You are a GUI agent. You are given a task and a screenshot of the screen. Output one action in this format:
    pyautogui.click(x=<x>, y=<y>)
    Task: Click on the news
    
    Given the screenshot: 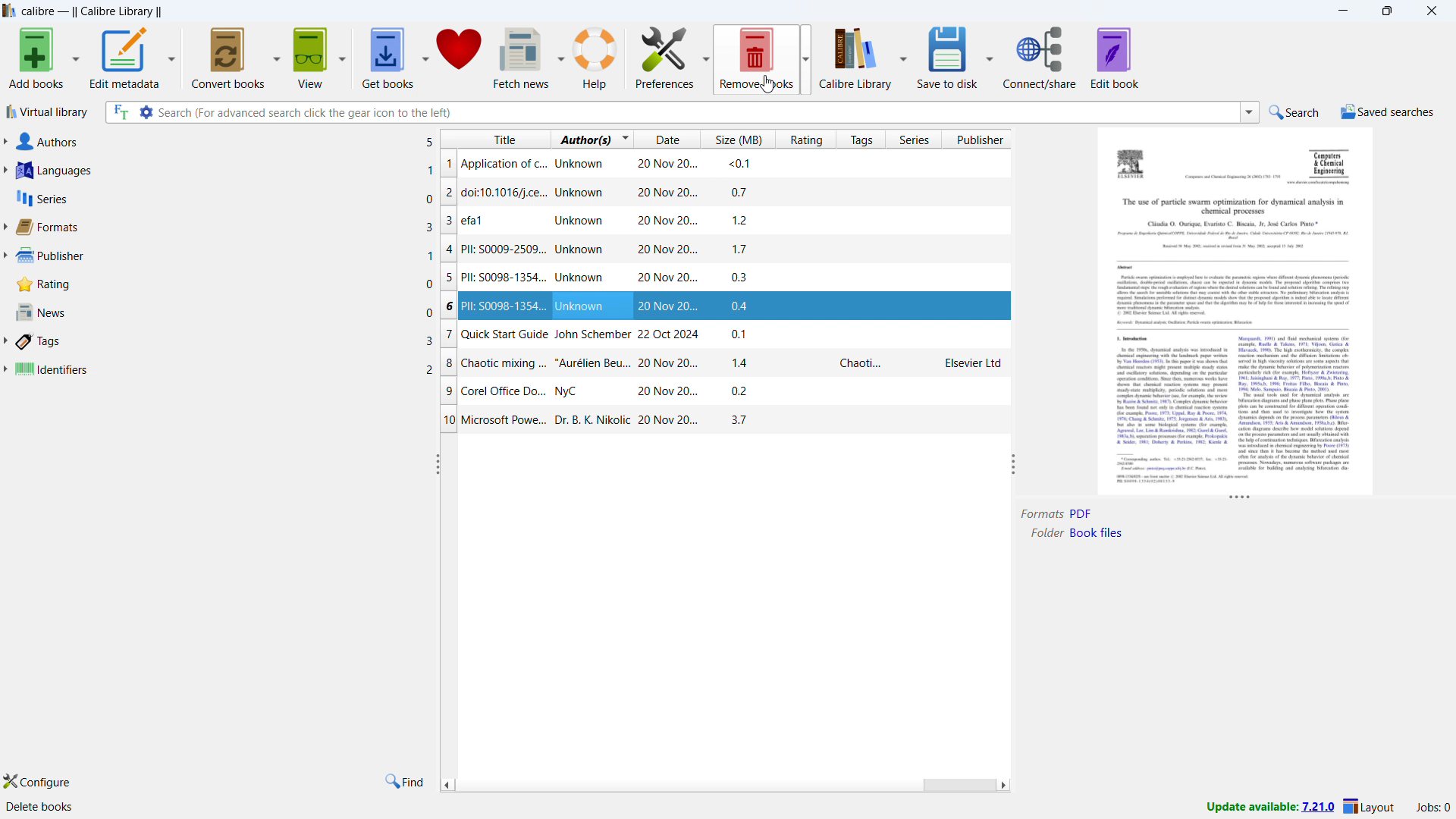 What is the action you would take?
    pyautogui.click(x=223, y=311)
    